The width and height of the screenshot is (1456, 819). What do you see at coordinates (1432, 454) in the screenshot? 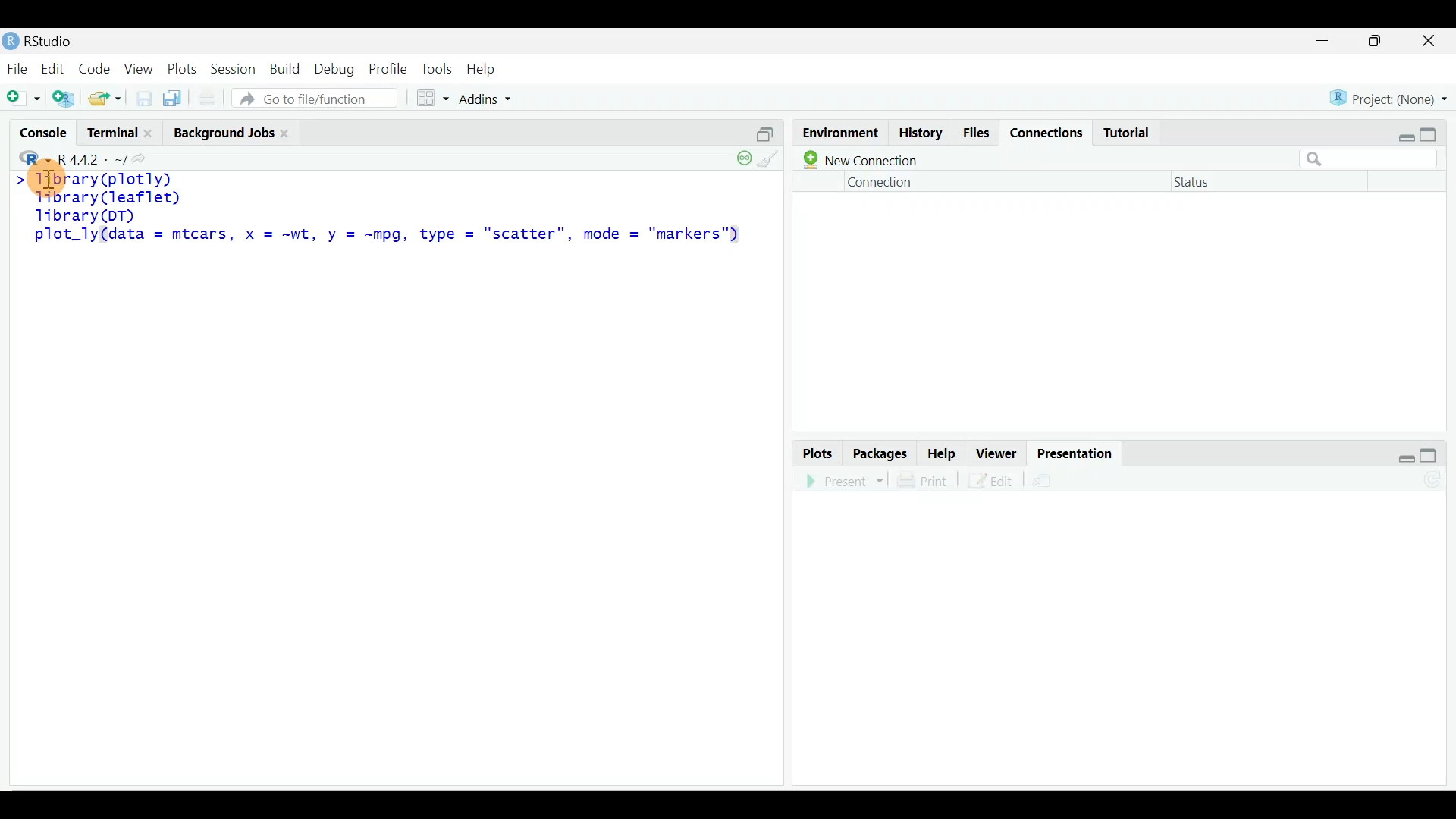
I see `maximize` at bounding box center [1432, 454].